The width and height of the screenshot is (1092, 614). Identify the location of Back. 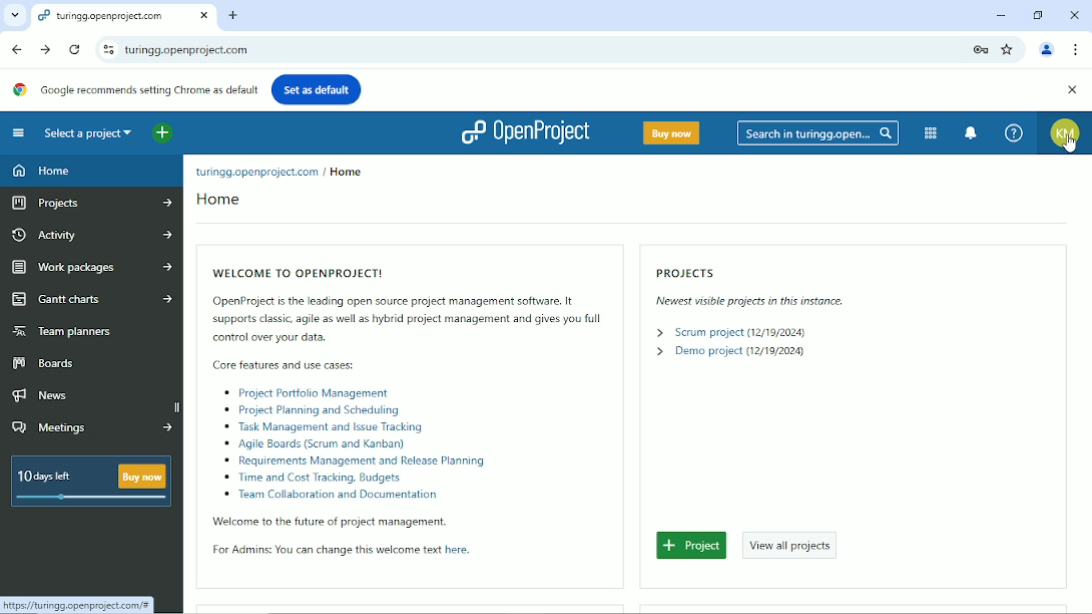
(17, 48).